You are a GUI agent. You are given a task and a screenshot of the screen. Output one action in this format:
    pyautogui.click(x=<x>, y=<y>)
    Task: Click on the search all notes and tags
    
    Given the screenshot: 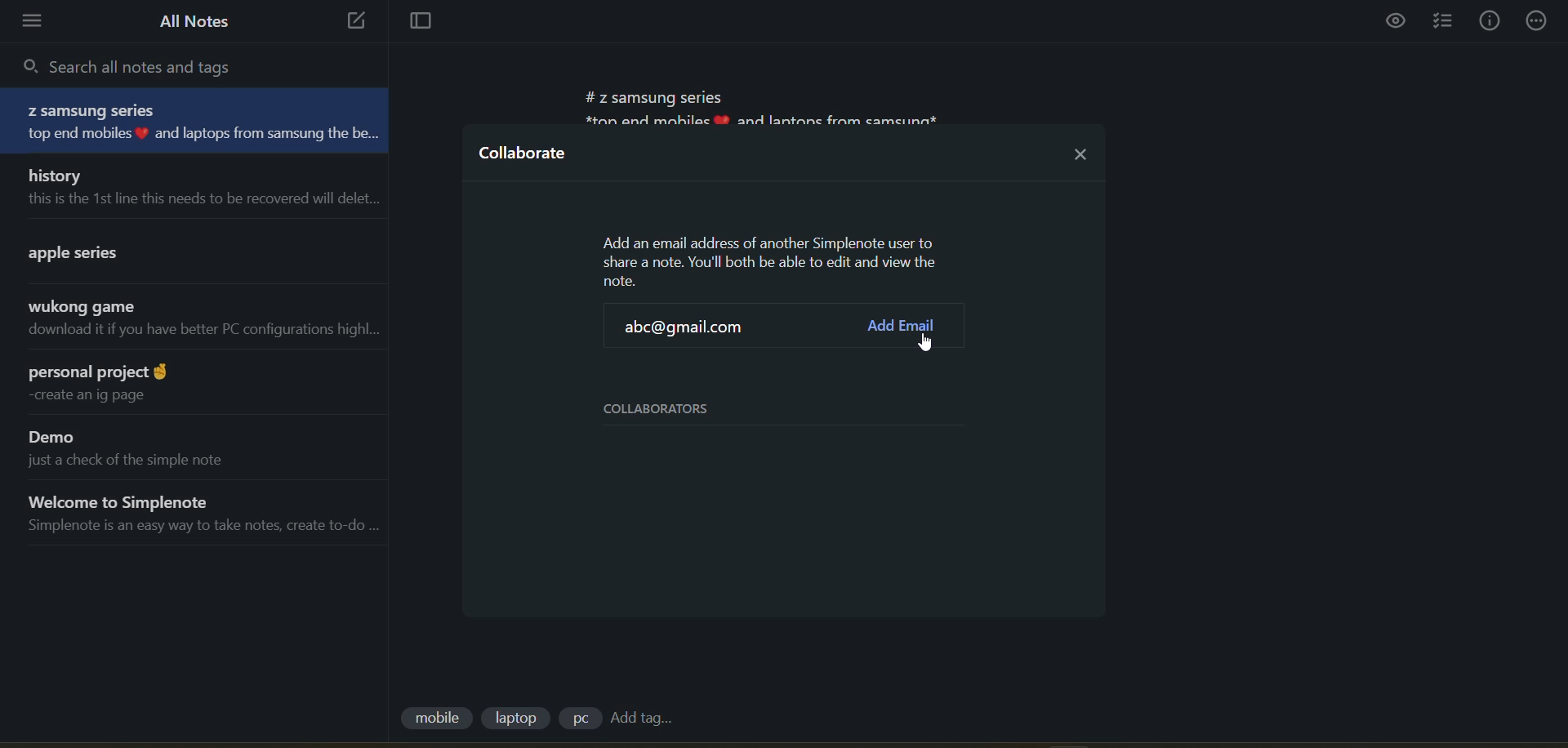 What is the action you would take?
    pyautogui.click(x=139, y=65)
    